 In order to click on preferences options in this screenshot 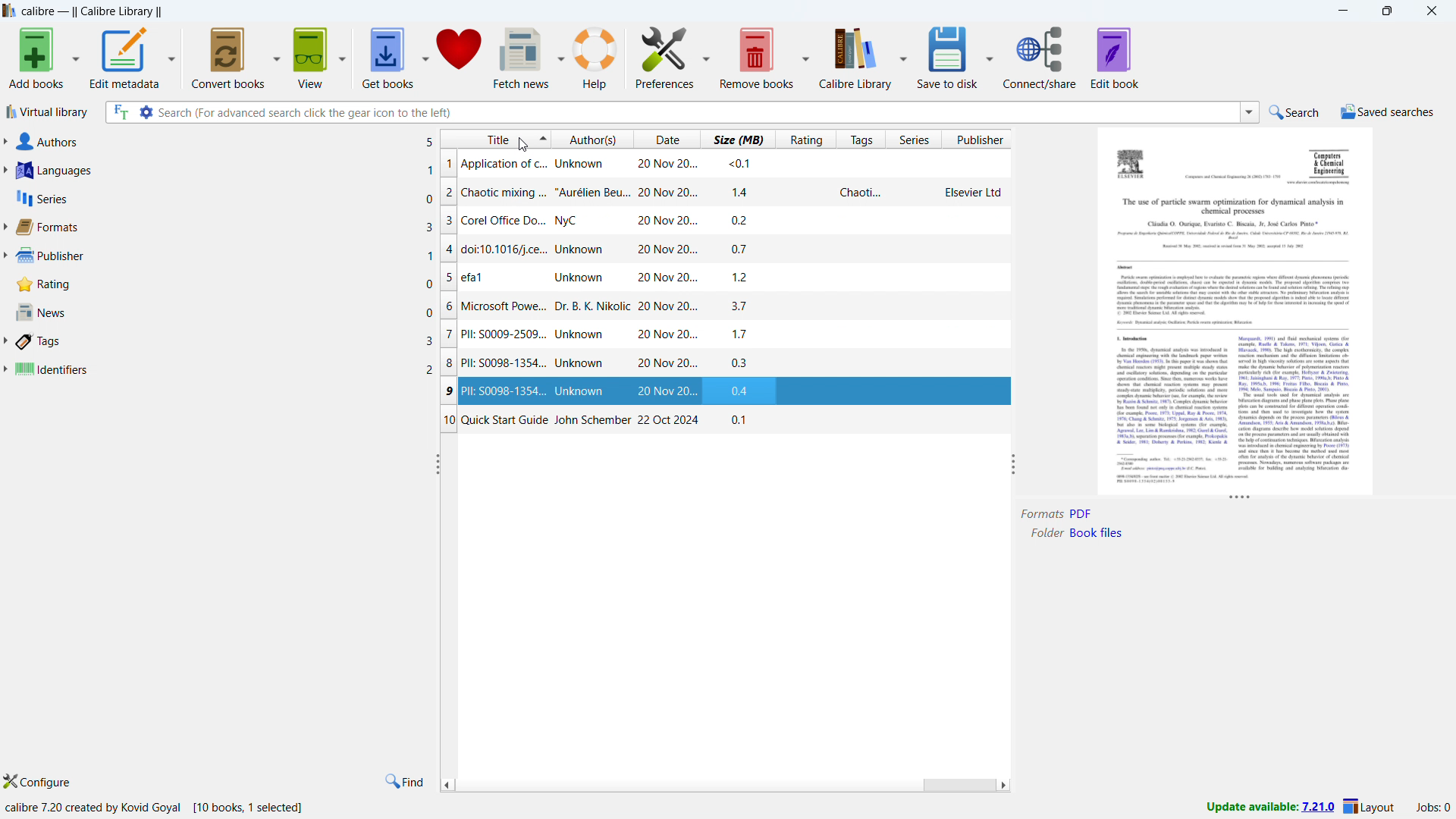, I will do `click(708, 57)`.